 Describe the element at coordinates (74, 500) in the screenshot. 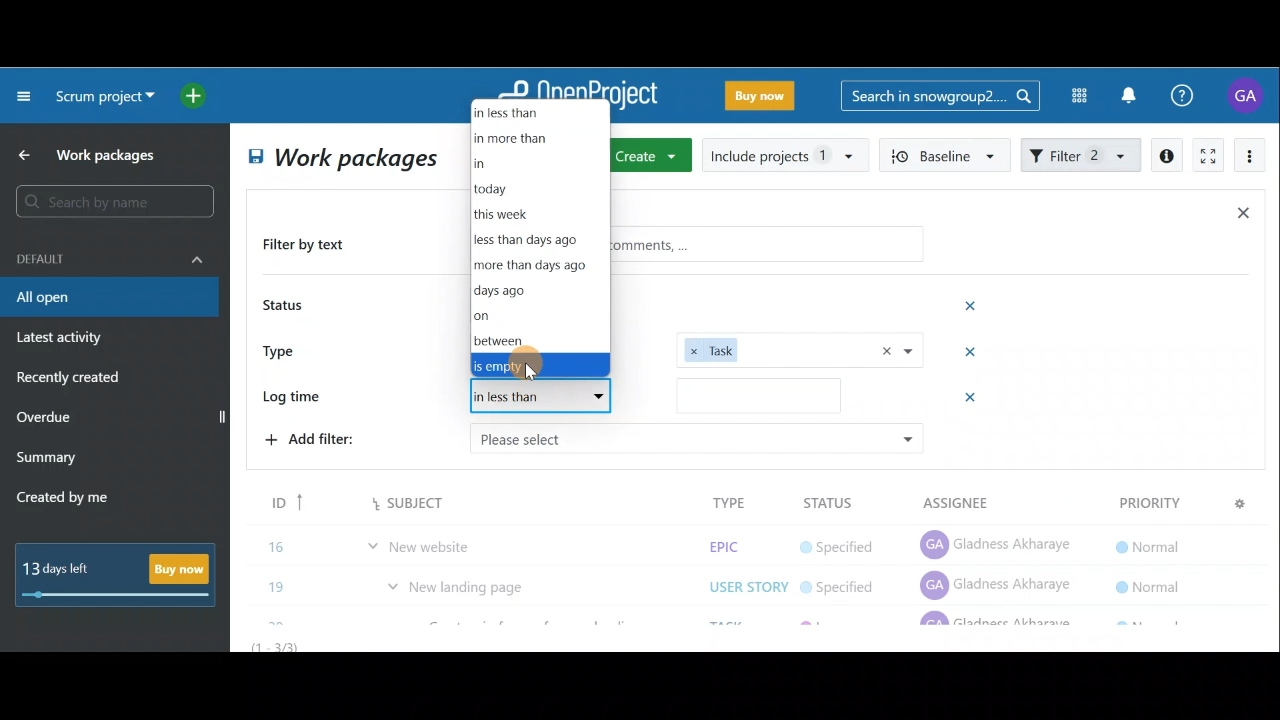

I see `Created by me` at that location.